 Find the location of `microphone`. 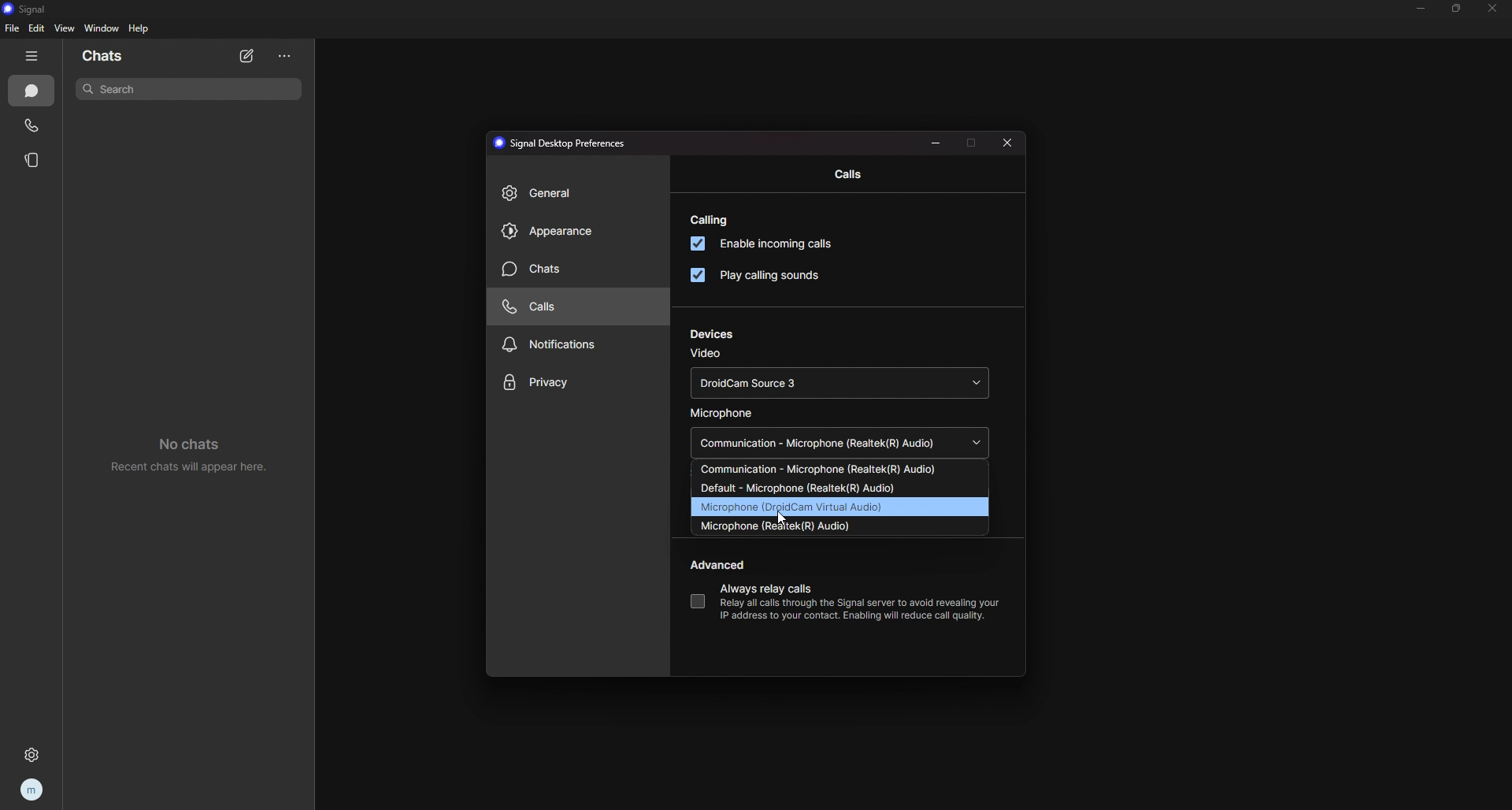

microphone is located at coordinates (725, 413).